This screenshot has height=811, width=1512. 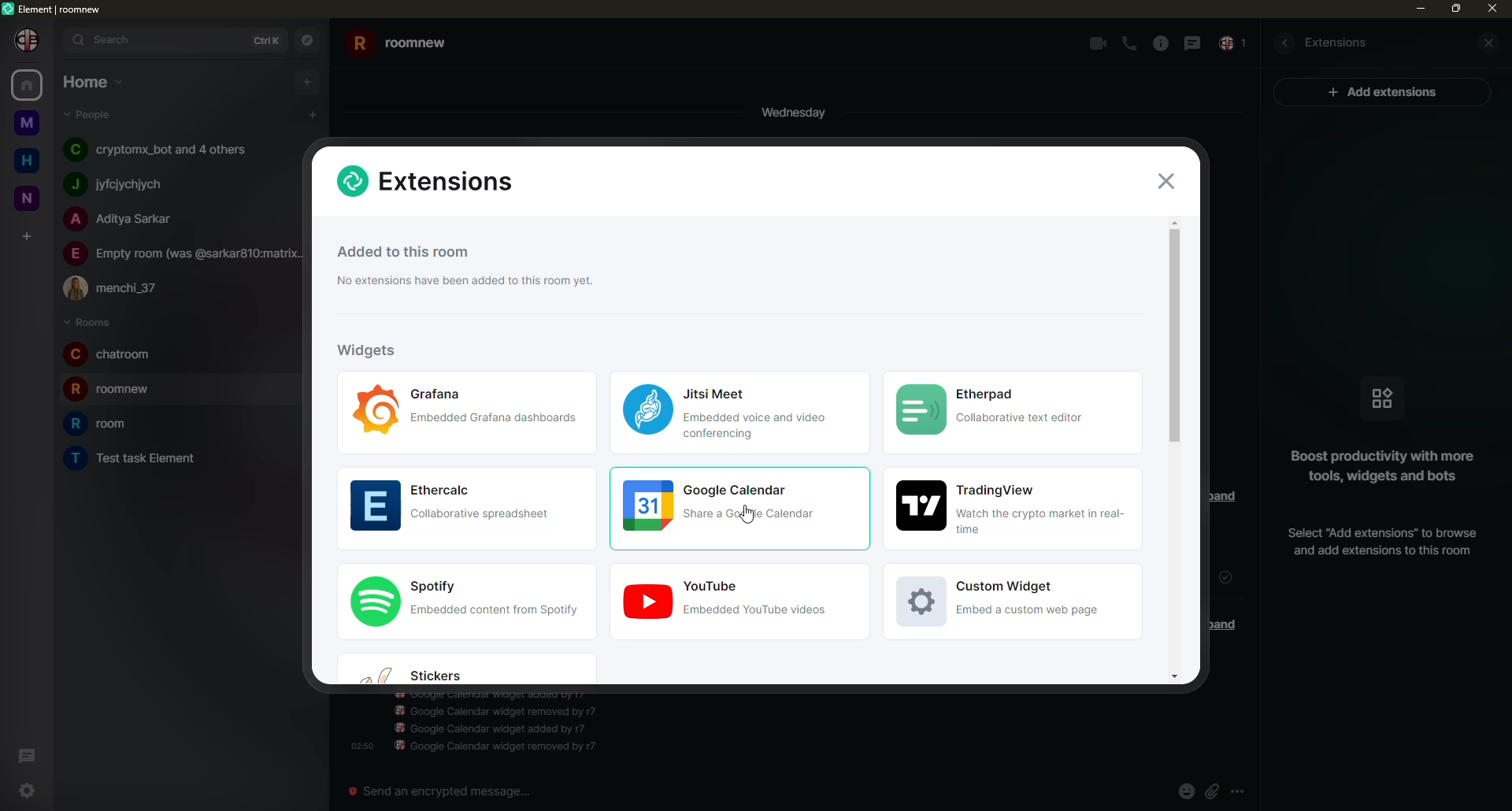 I want to click on widgets, so click(x=723, y=416).